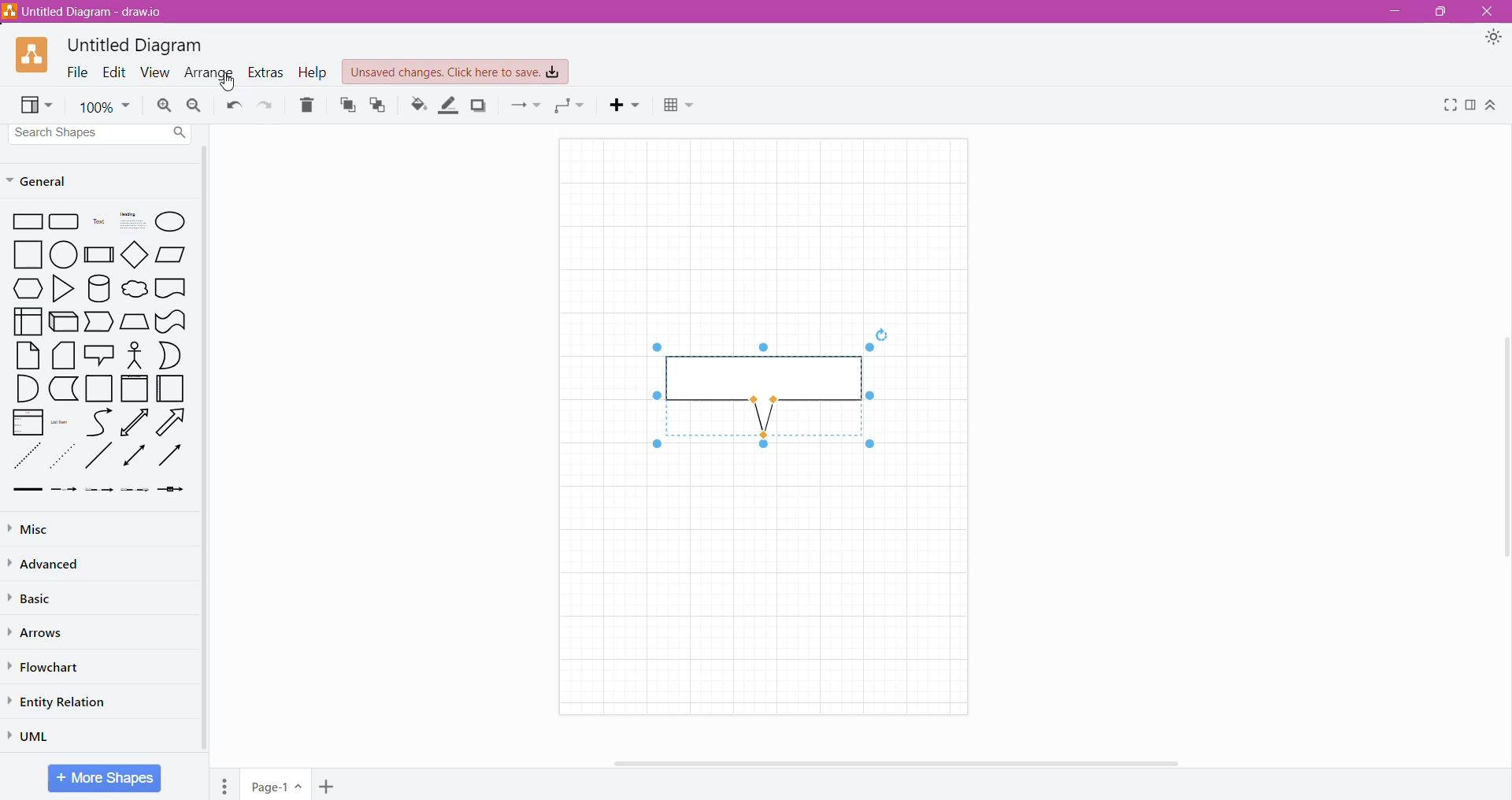 The image size is (1512, 800). I want to click on Dotted Line , so click(26, 456).